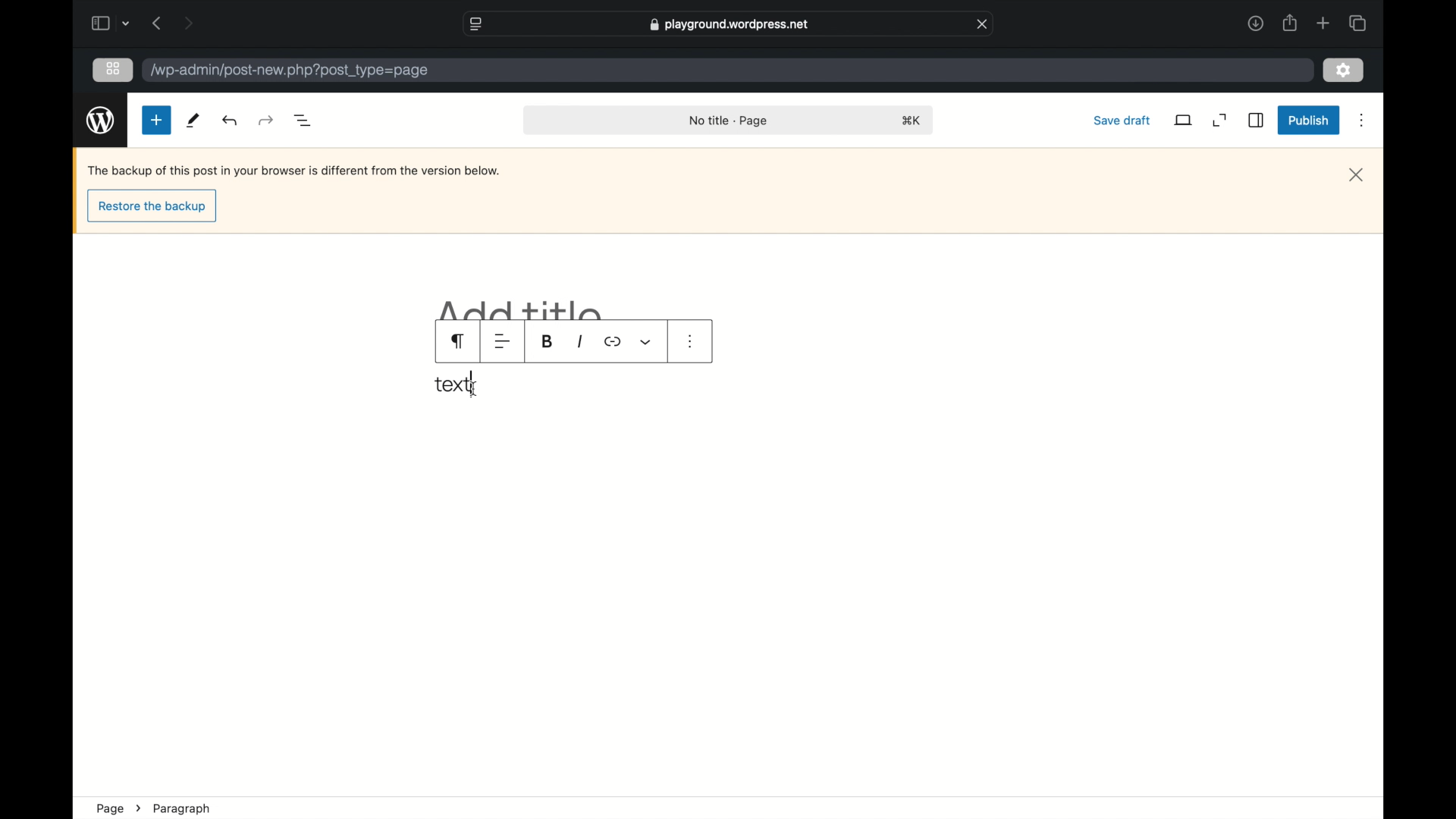 The width and height of the screenshot is (1456, 819). Describe the element at coordinates (1359, 23) in the screenshot. I see `show tab overview` at that location.